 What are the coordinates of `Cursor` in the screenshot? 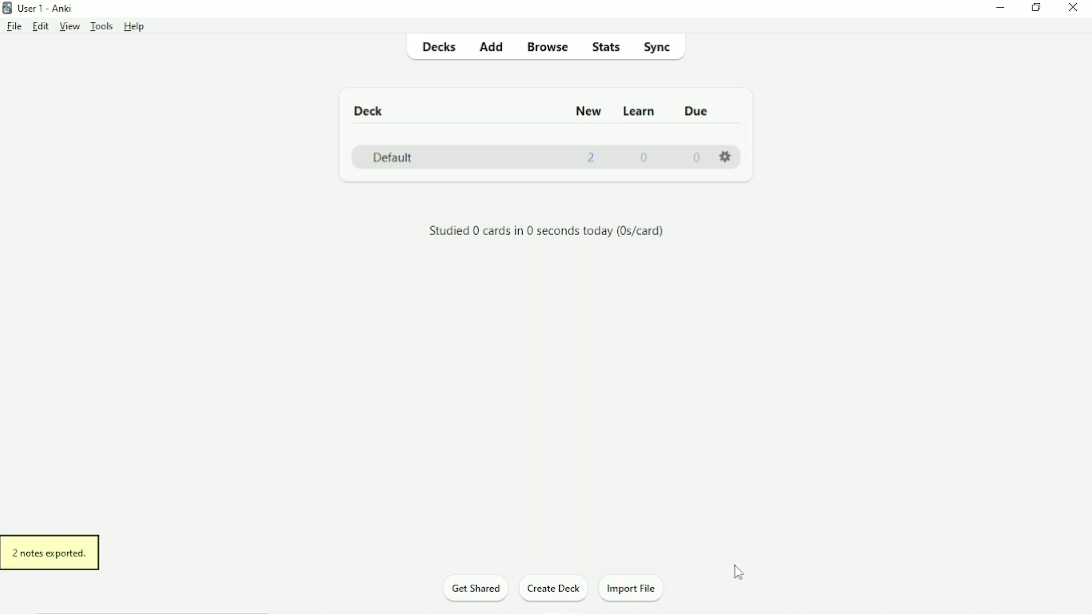 It's located at (737, 572).